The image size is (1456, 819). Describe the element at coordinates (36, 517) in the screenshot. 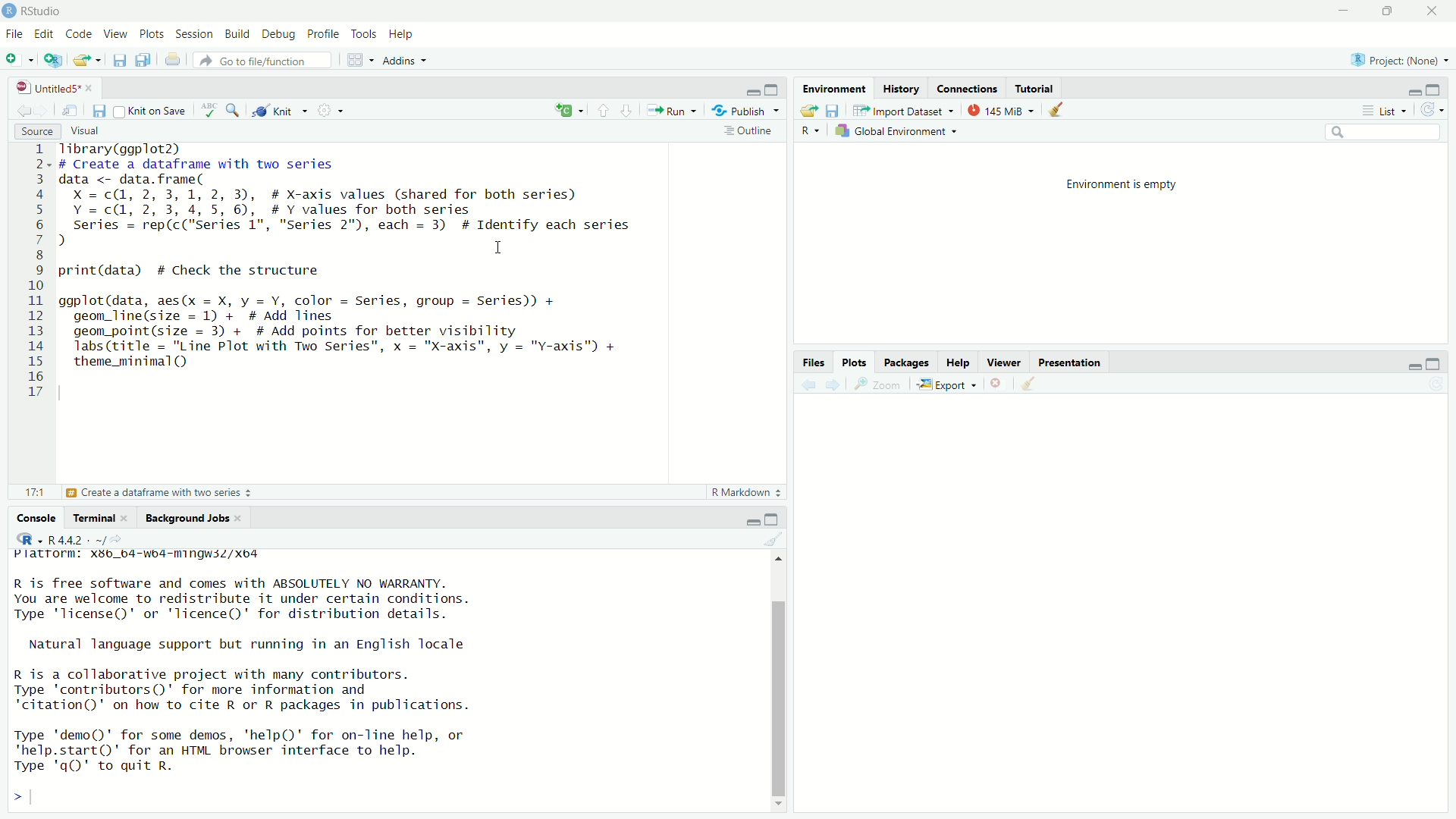

I see `Console` at that location.